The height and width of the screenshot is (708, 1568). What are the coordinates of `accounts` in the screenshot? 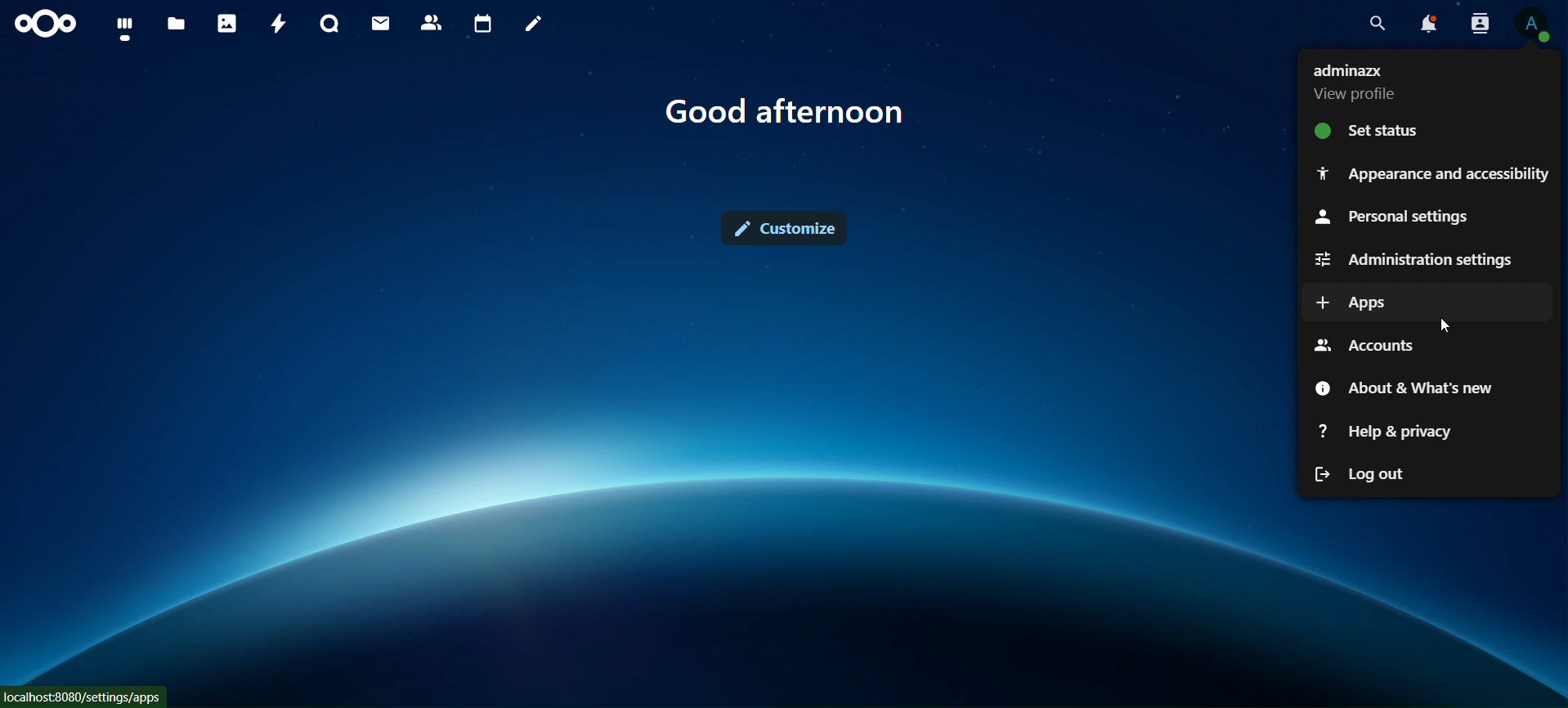 It's located at (1368, 344).